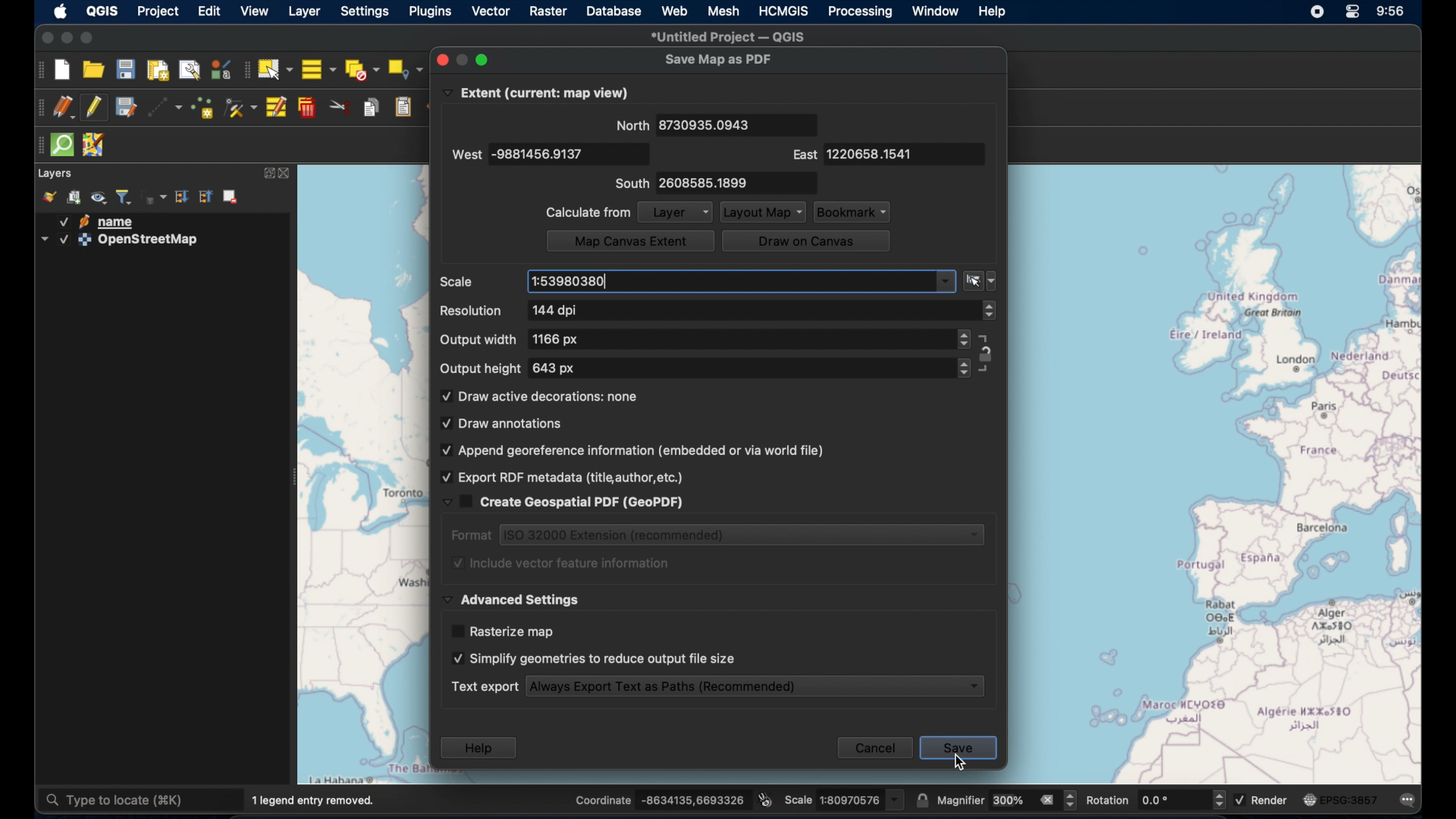 This screenshot has height=819, width=1456. I want to click on apple icon, so click(61, 12).